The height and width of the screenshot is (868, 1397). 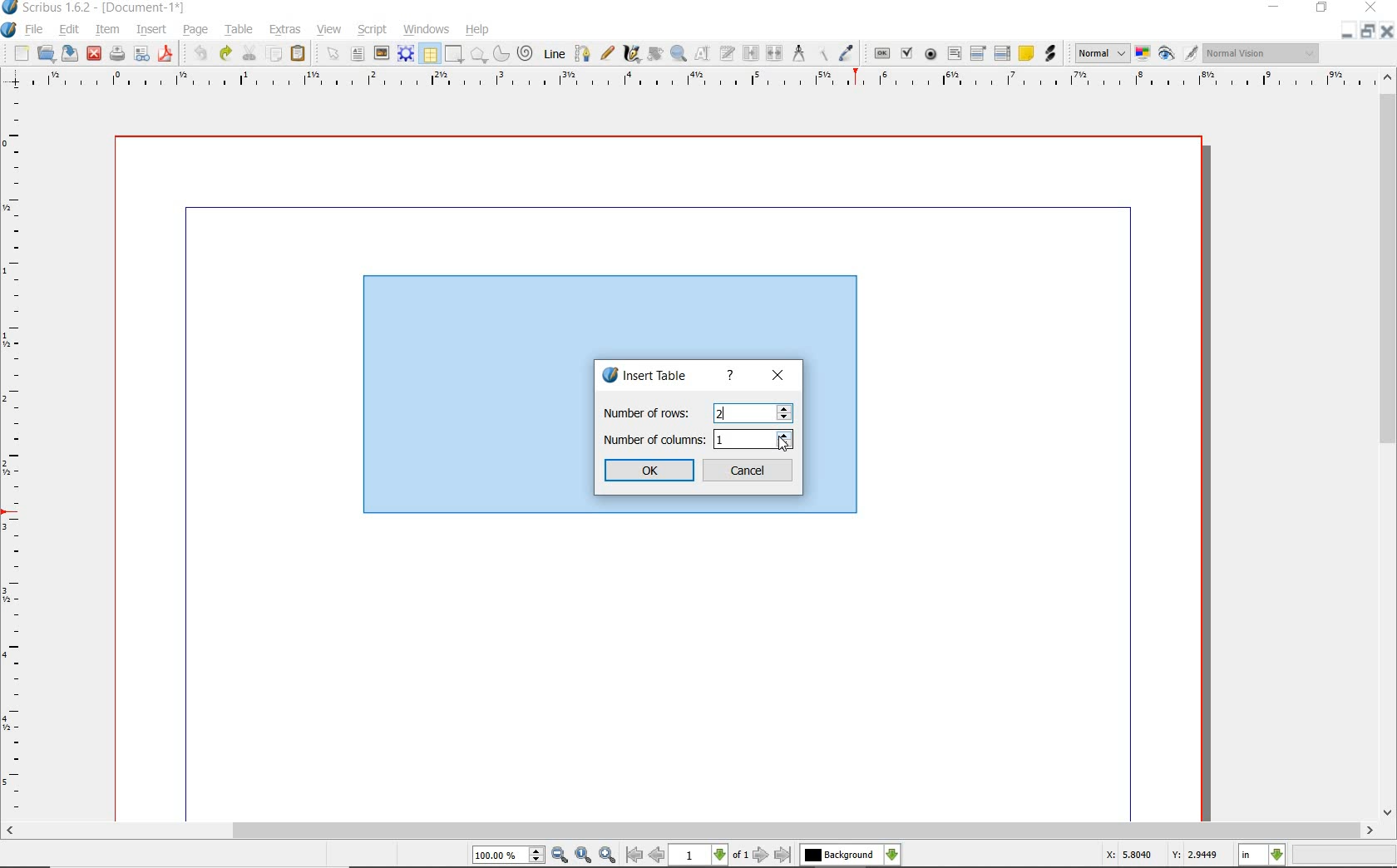 What do you see at coordinates (1161, 856) in the screenshot?
I see `X: 5.8040 Y: 2.9449` at bounding box center [1161, 856].